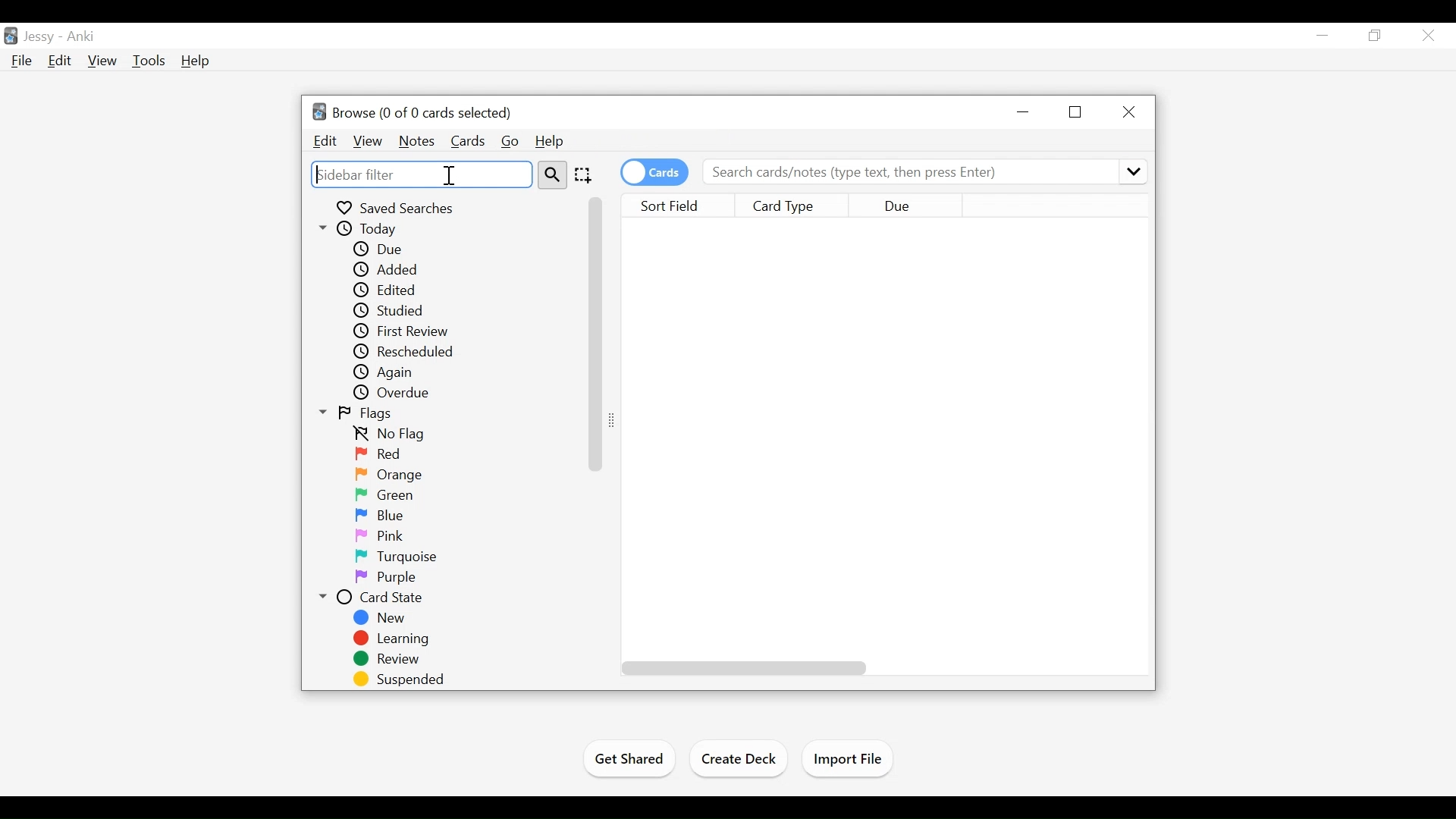  Describe the element at coordinates (1430, 36) in the screenshot. I see `Close` at that location.